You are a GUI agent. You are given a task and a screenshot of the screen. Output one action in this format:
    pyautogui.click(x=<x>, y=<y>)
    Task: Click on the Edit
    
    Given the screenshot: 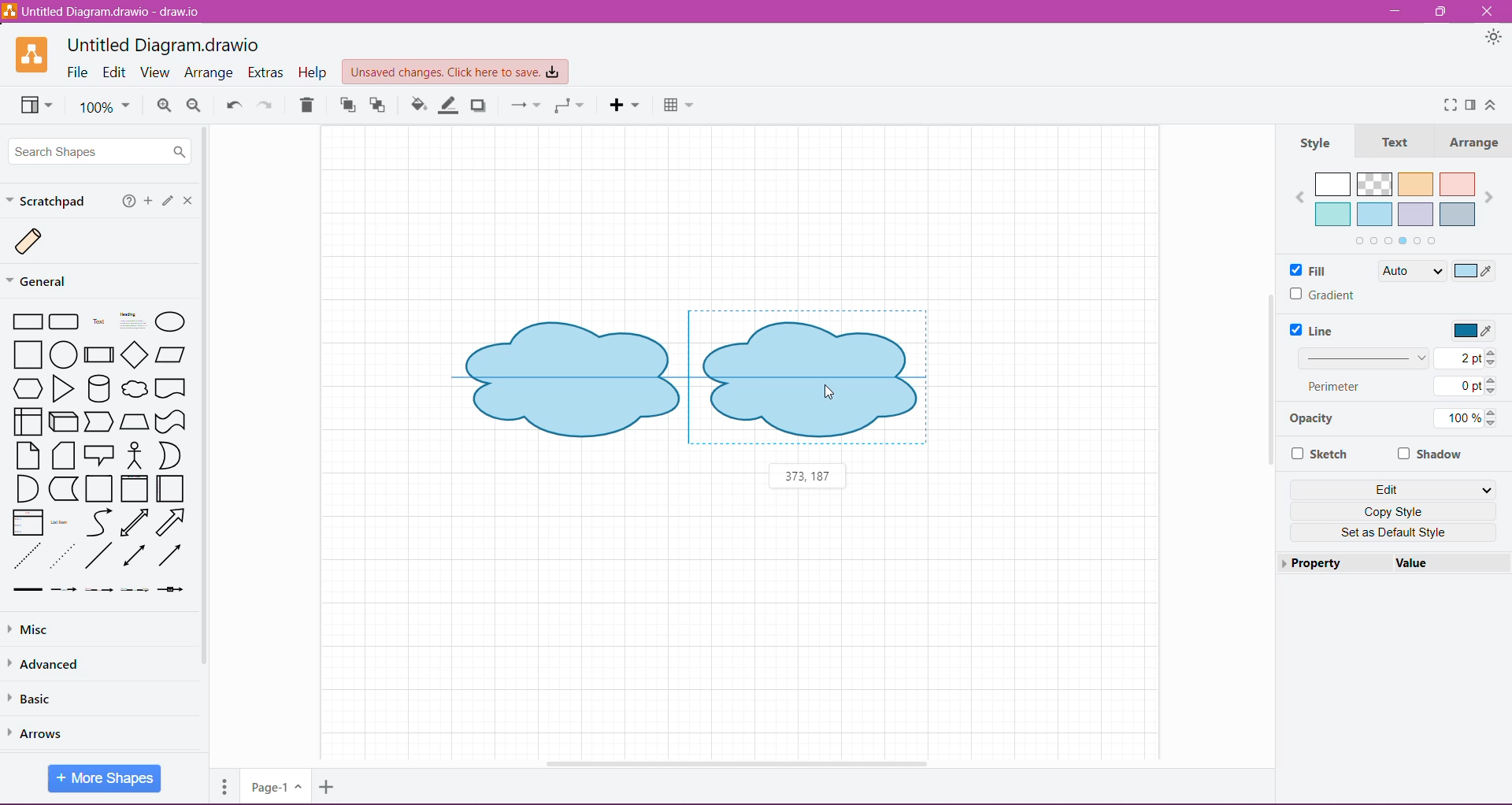 What is the action you would take?
    pyautogui.click(x=1393, y=489)
    